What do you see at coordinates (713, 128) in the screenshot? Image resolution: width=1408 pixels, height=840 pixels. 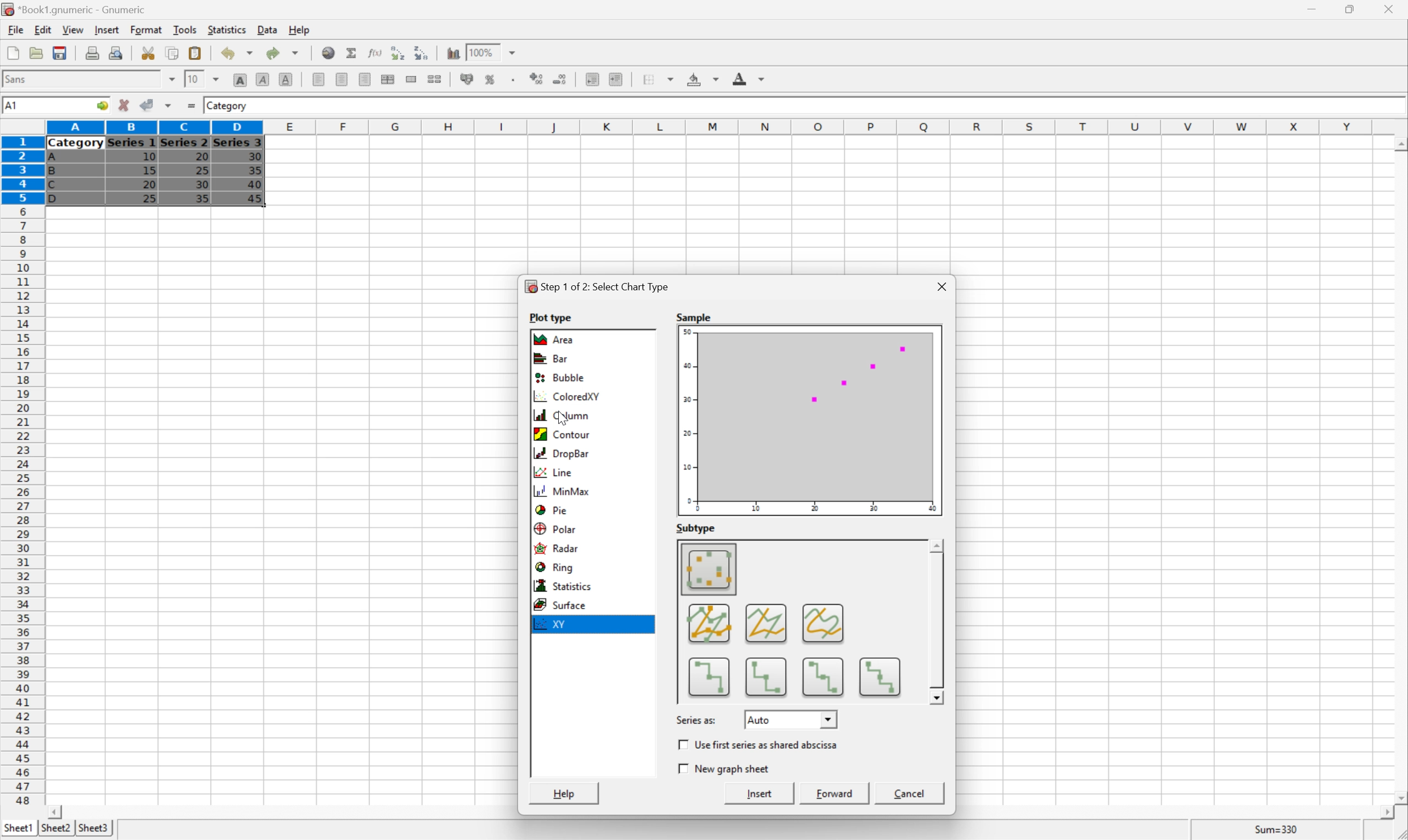 I see `Column names` at bounding box center [713, 128].